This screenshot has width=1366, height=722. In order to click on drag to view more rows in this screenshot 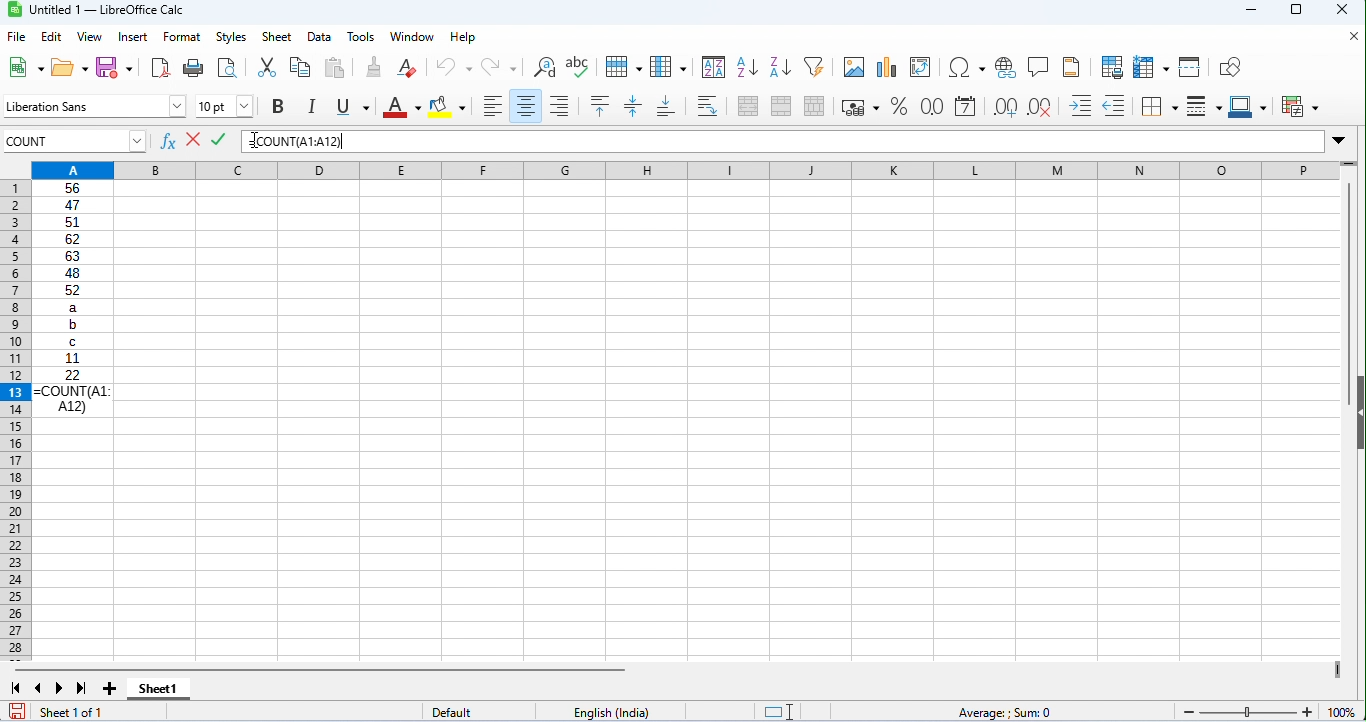, I will do `click(1348, 163)`.